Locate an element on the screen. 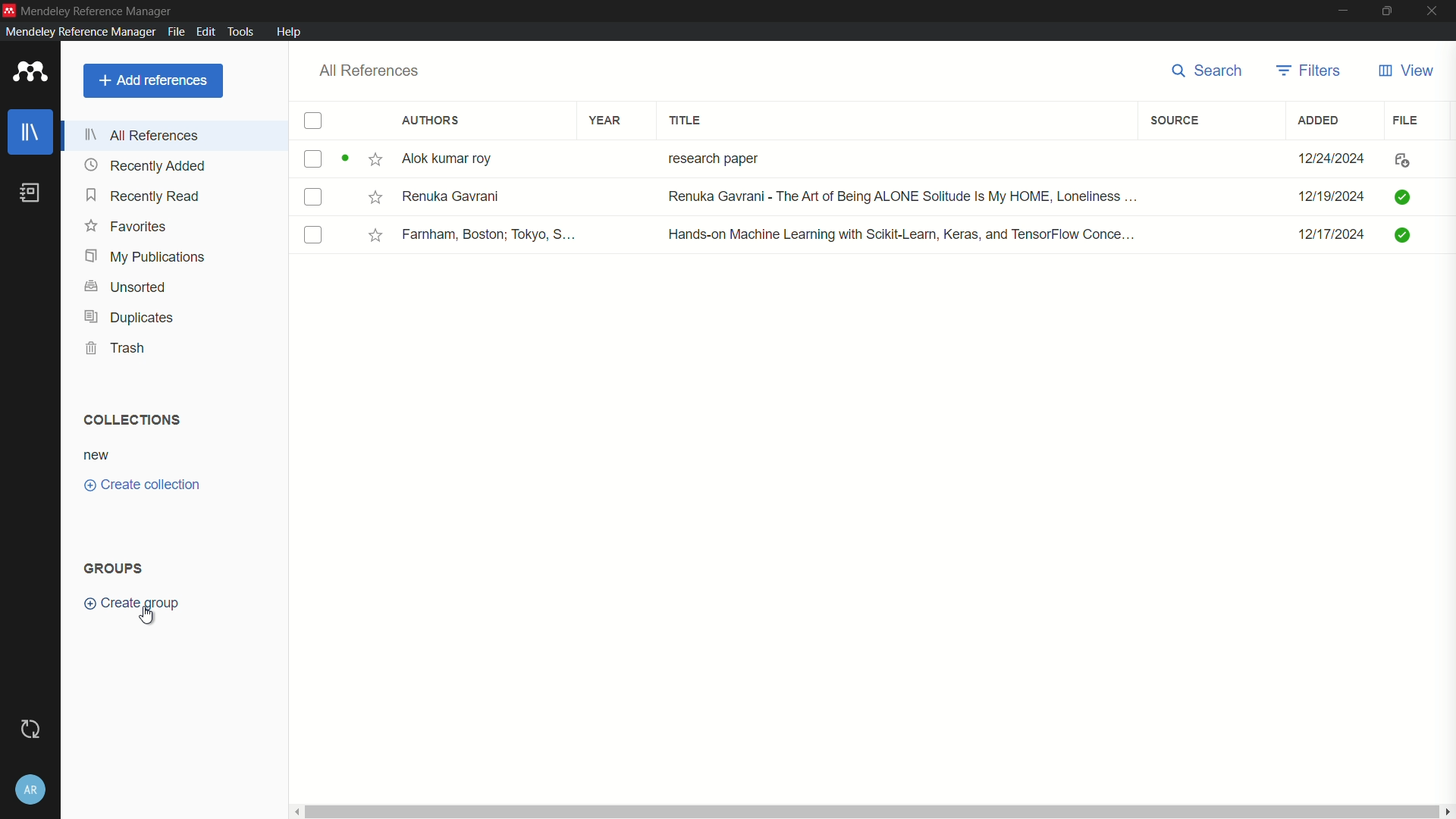  Star is located at coordinates (374, 196).